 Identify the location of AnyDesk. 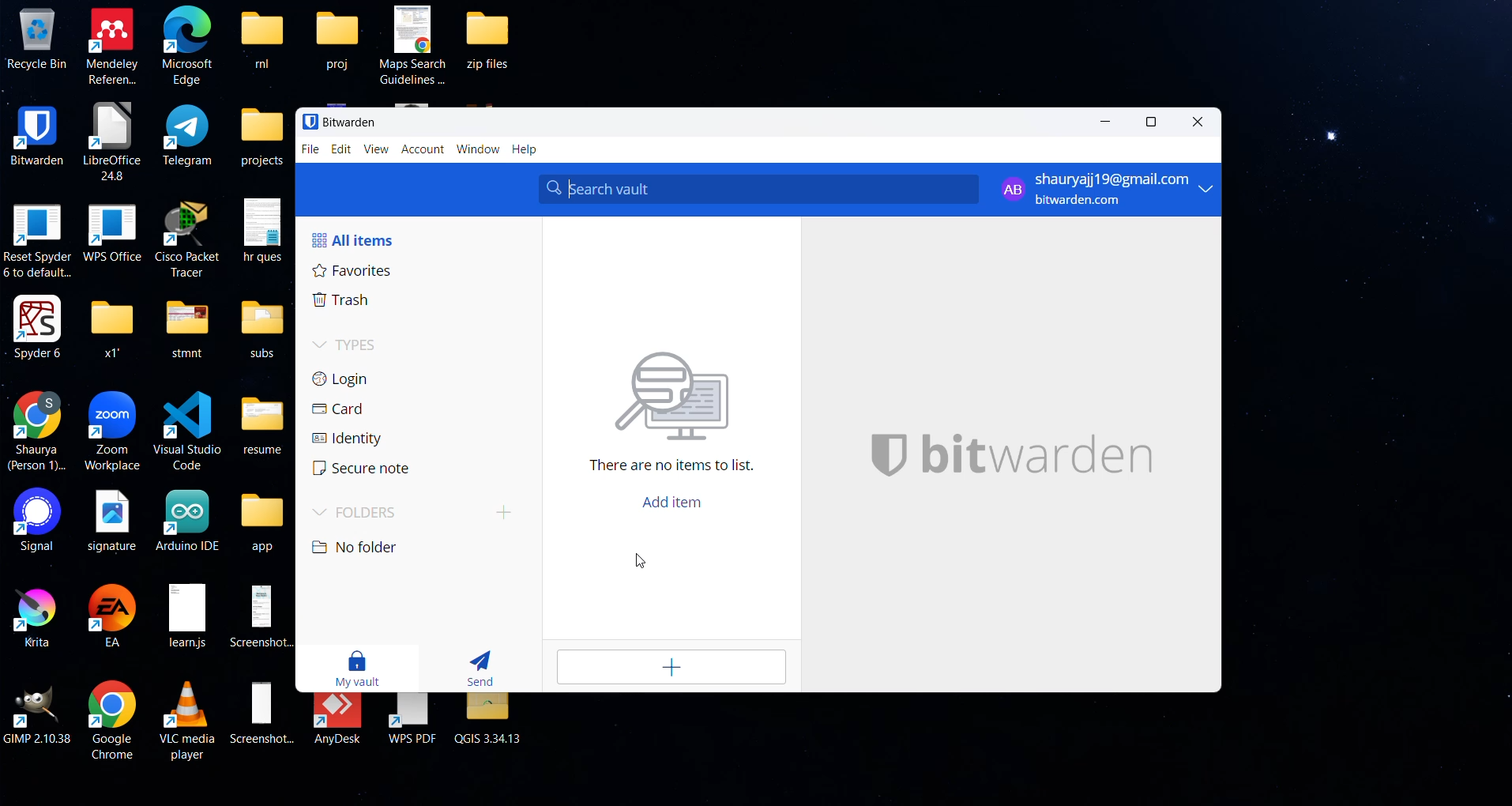
(340, 719).